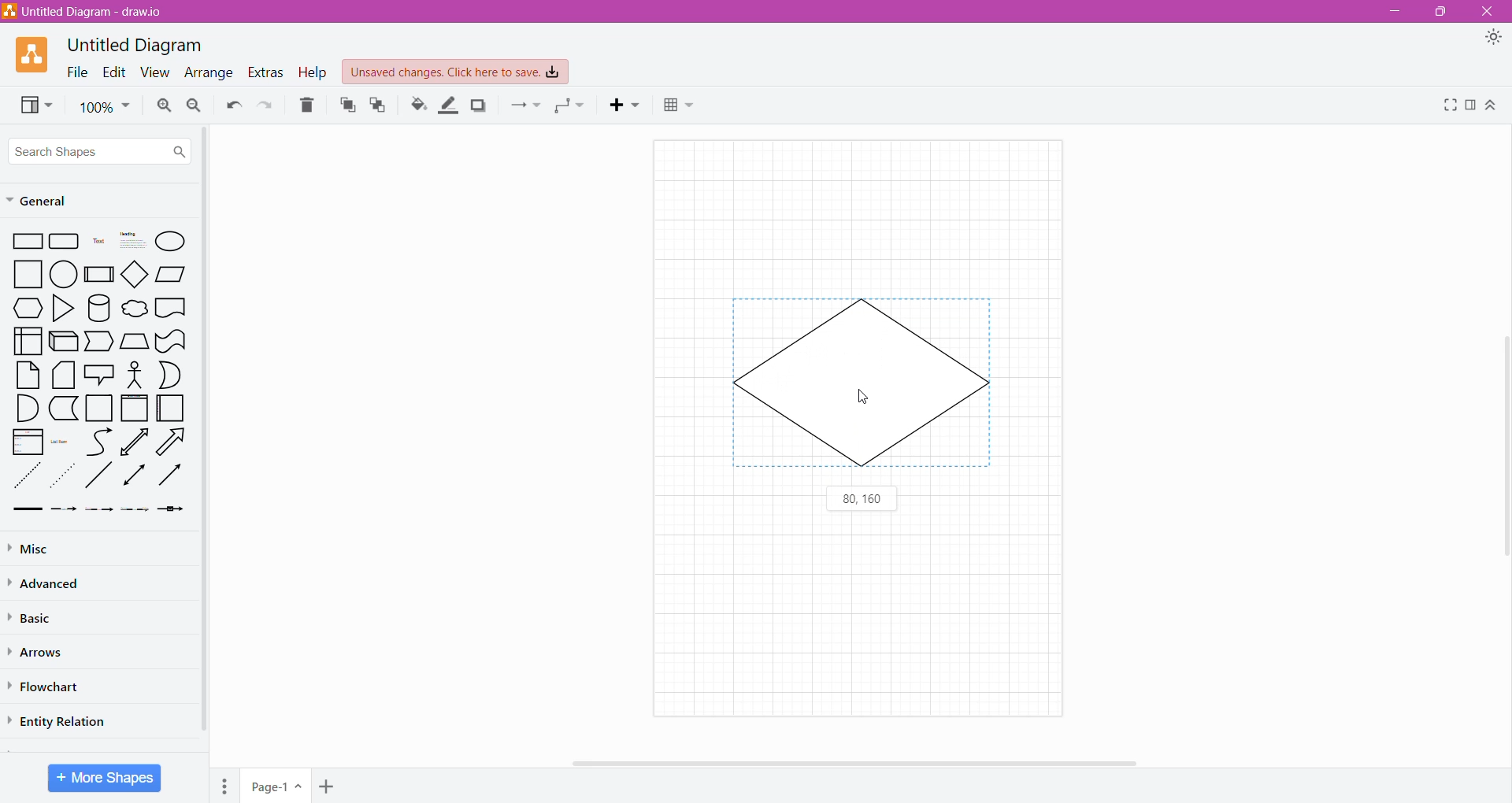 This screenshot has height=803, width=1512. What do you see at coordinates (1492, 106) in the screenshot?
I see `Expand/Collapse` at bounding box center [1492, 106].